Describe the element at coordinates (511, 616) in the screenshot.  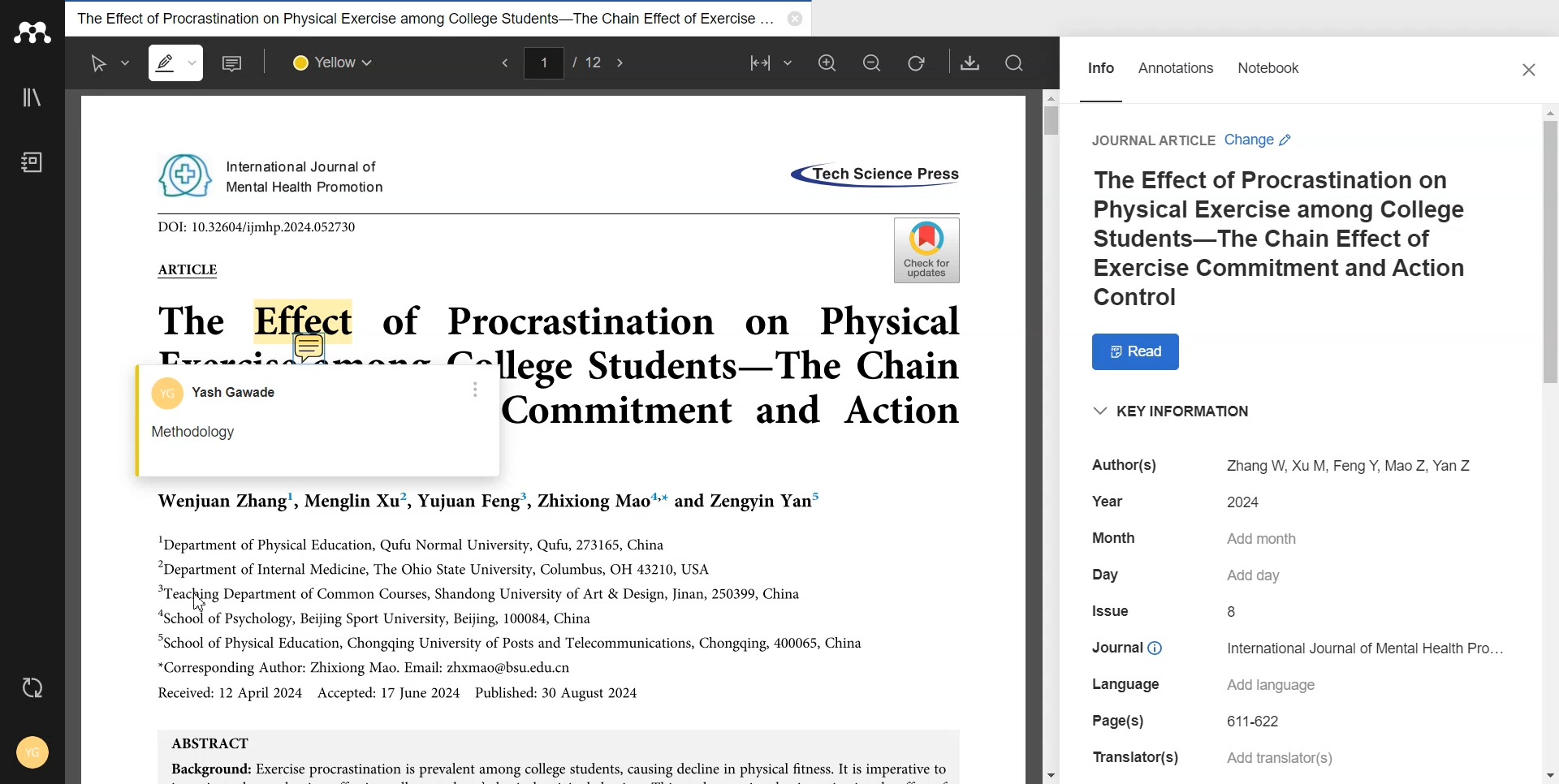
I see `"Department of Physical Education, Qufu Normal University, Qufu, 273165, China

“Department of Internal Medicine, The Ohio State University, Columbus, OH 43210, USA

“Teaching Department of Common Courses, Shandong University of Art & Design, Jinan, 250399, China

“School of Psychology, Beijing Sport University, Beijing, 100084, China

“School of Physical Education, Chongqing University of Posts and Telecommunications, Chongqing, 400065, China
*Corresponding Author: Zhixiong Mao. Email: zhxmao@bsu.edu.cn

Received: 12 April 2024 Accepted: 17 June 2024 Published: 30 August 2024` at that location.